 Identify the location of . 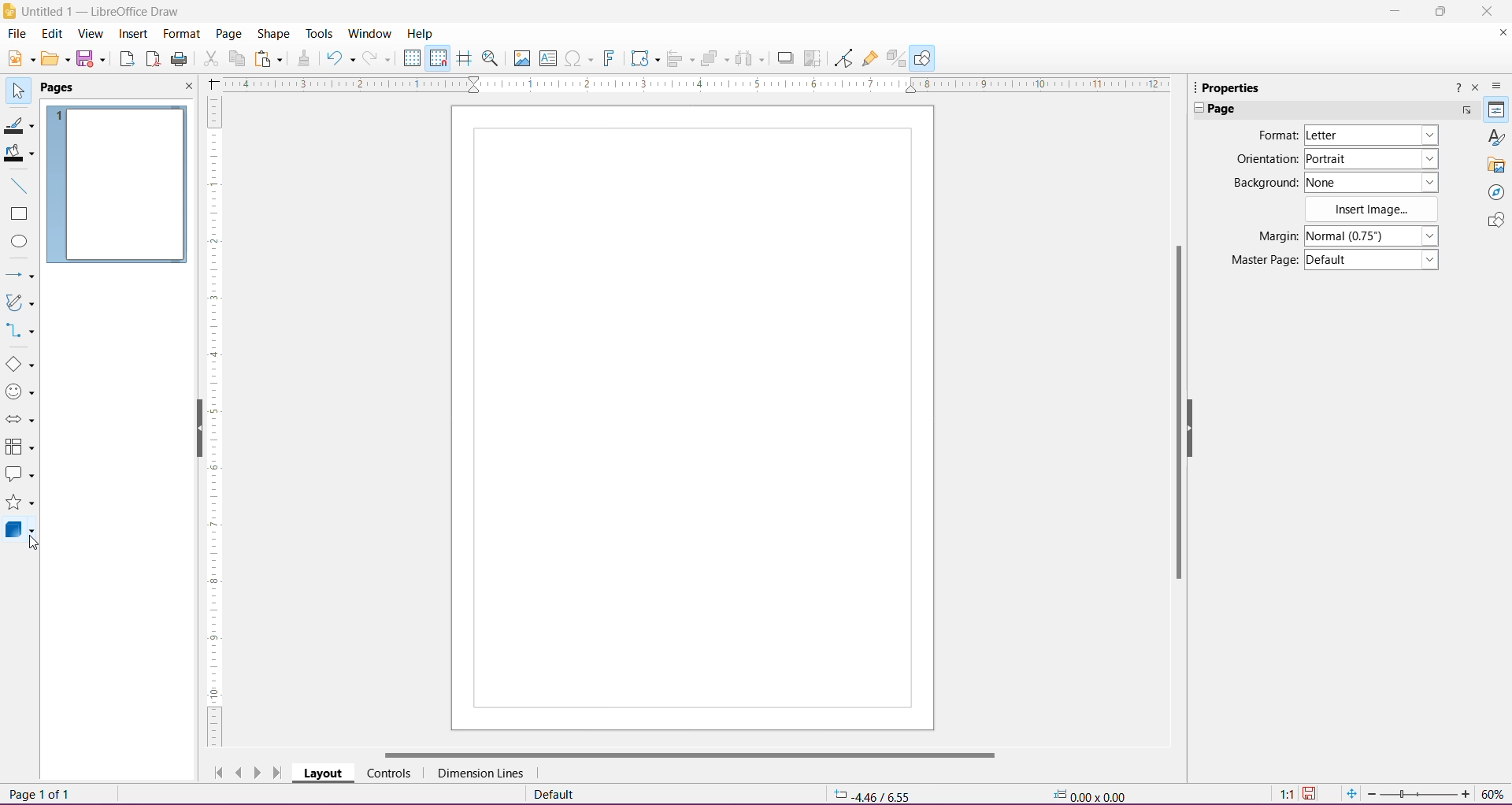
(379, 58).